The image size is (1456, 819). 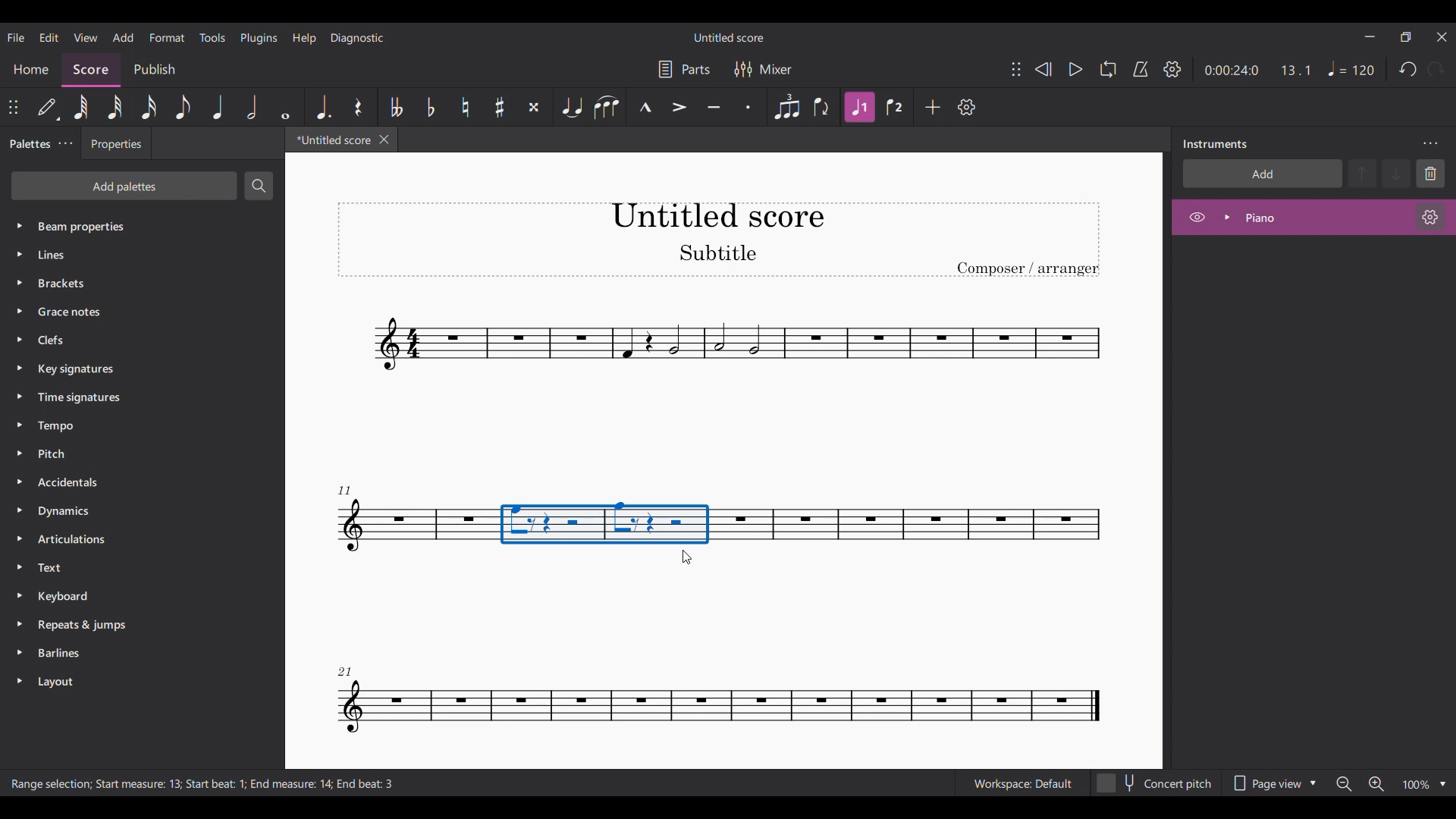 I want to click on Undo, so click(x=1409, y=69).